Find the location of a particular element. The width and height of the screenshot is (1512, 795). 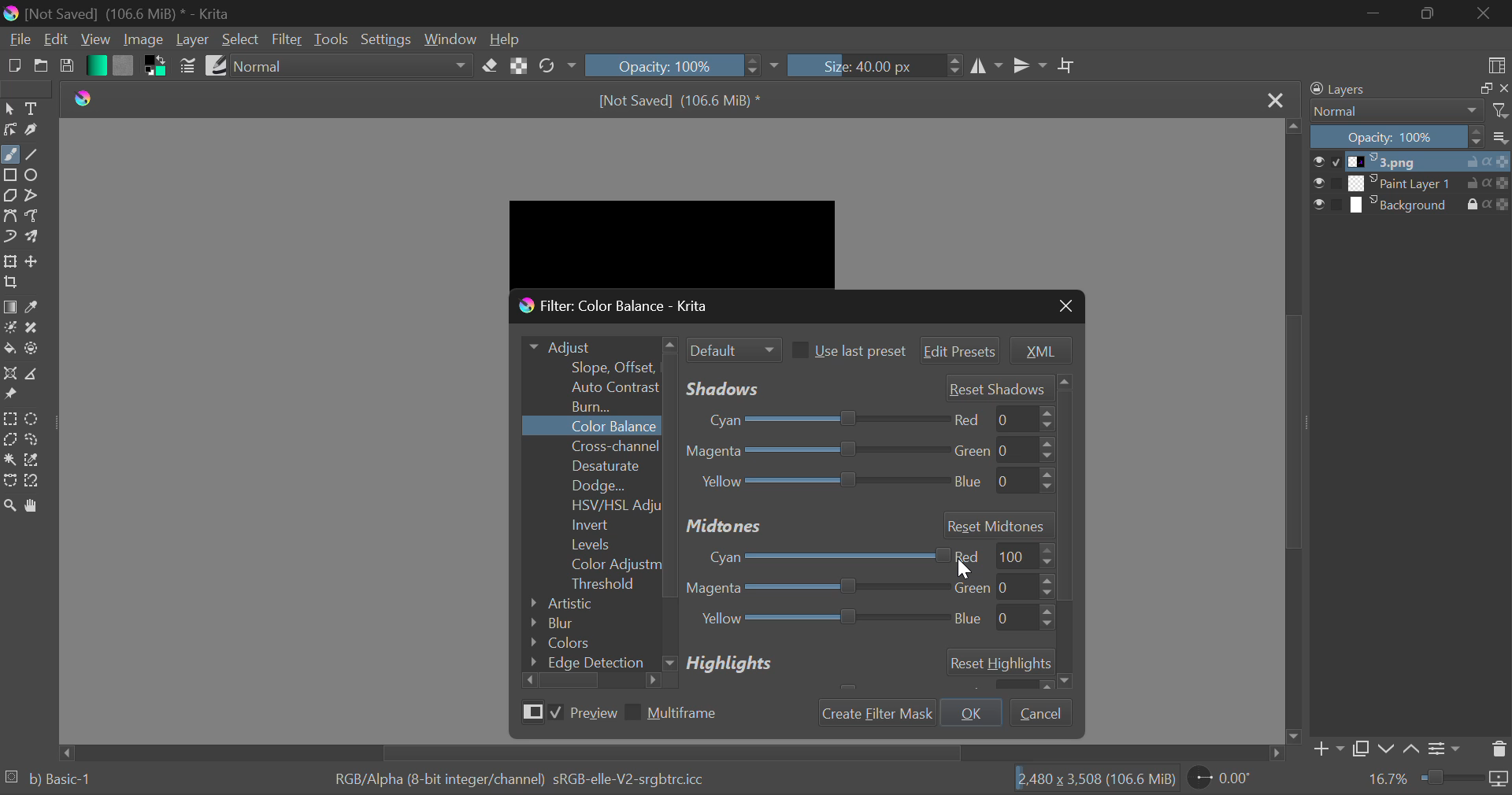

Scroll Bar is located at coordinates (660, 753).